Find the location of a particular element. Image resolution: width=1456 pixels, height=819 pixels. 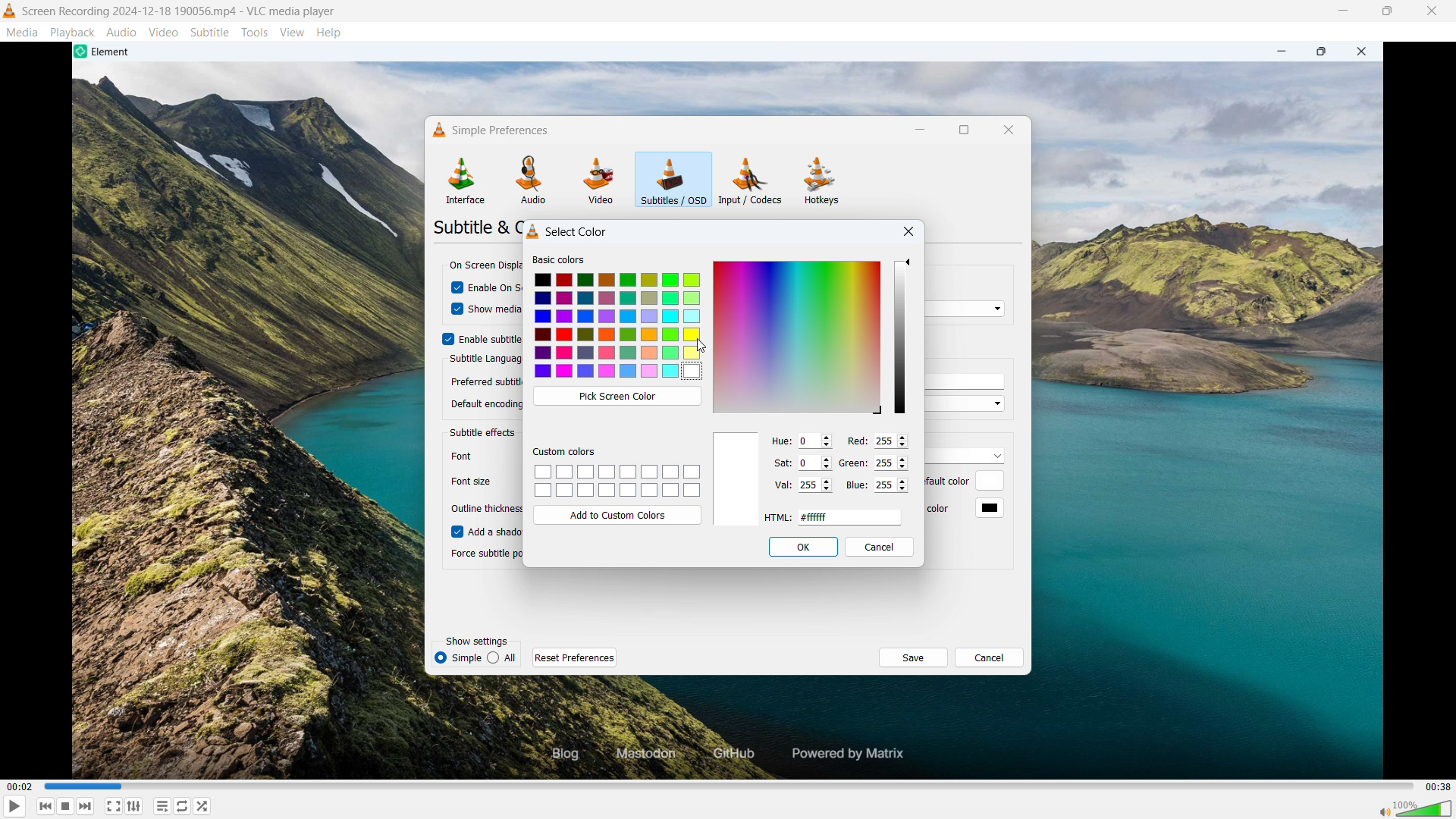

Input or codecs  is located at coordinates (751, 180).